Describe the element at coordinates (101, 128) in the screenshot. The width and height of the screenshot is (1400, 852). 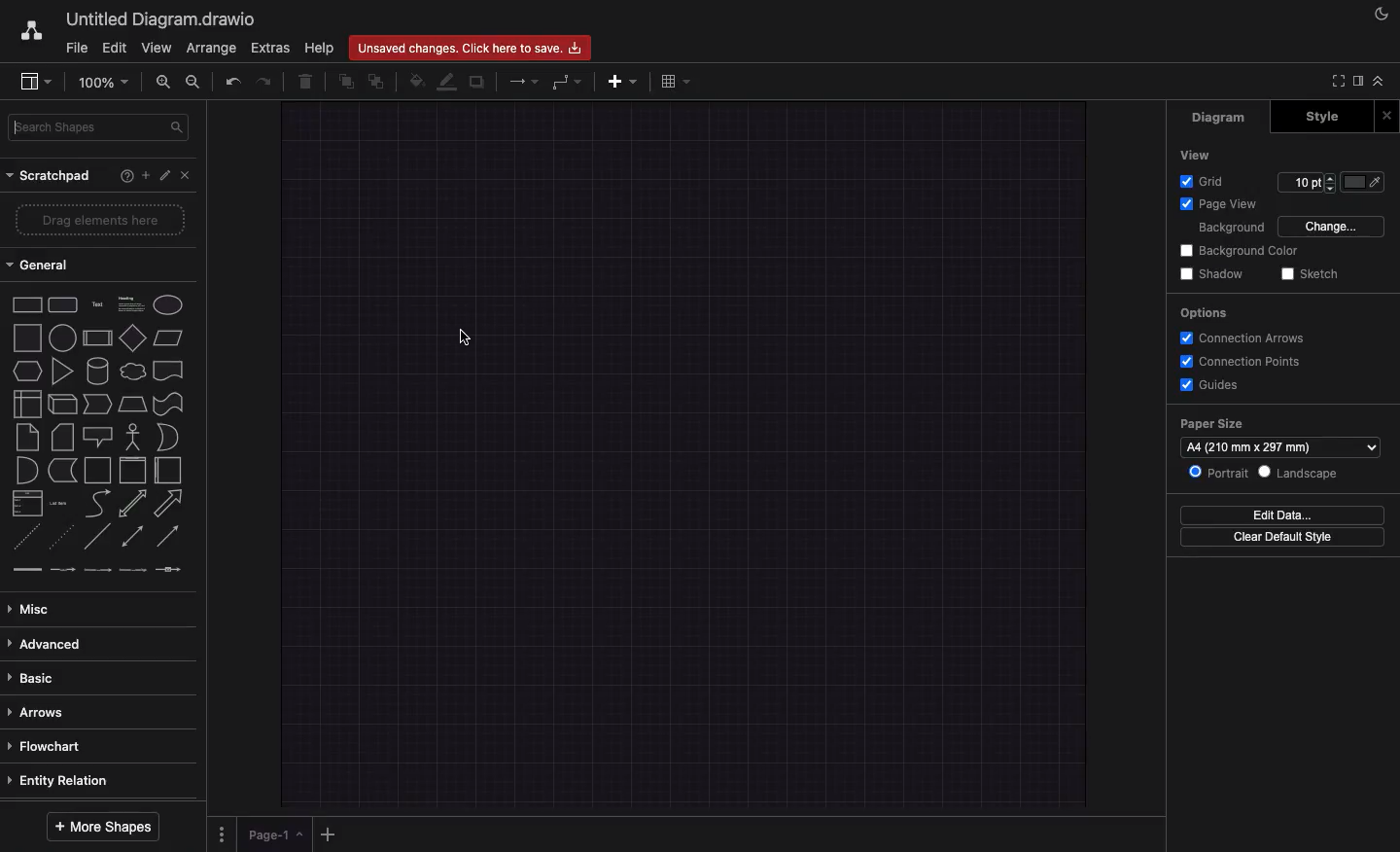
I see `Search shapes` at that location.